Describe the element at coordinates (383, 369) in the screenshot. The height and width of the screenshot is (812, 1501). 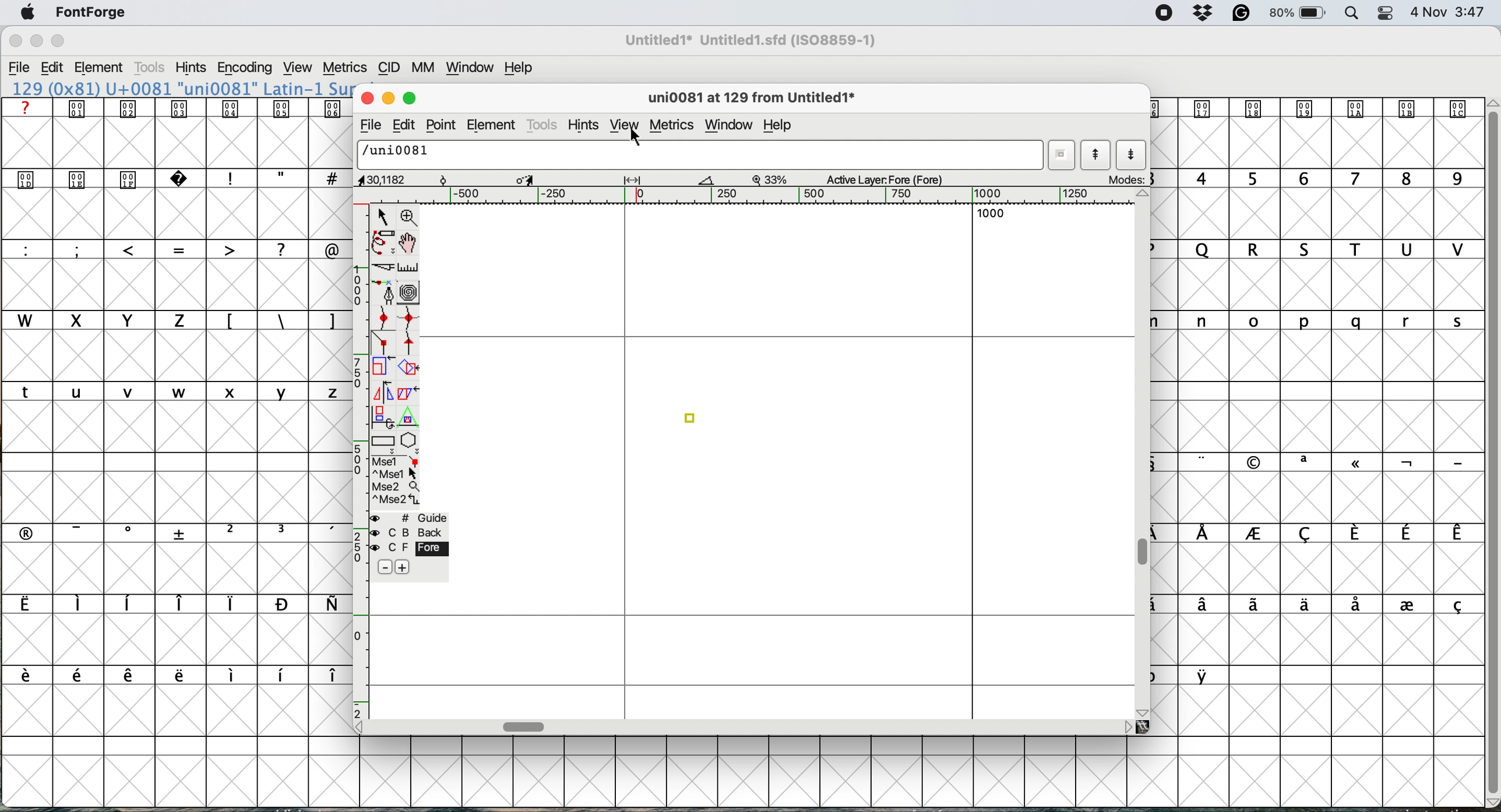
I see `scale the selection` at that location.